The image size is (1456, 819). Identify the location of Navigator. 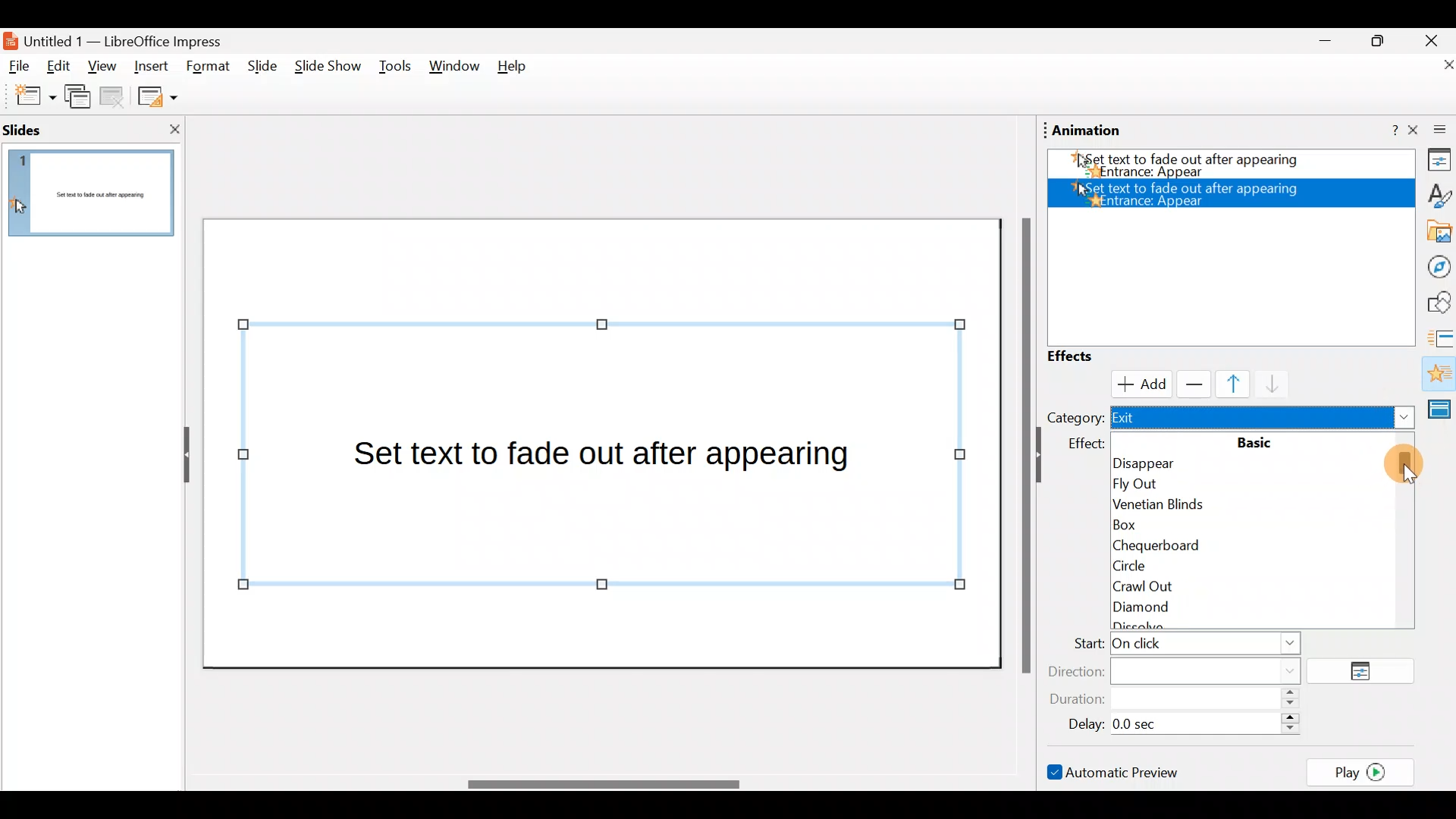
(1435, 265).